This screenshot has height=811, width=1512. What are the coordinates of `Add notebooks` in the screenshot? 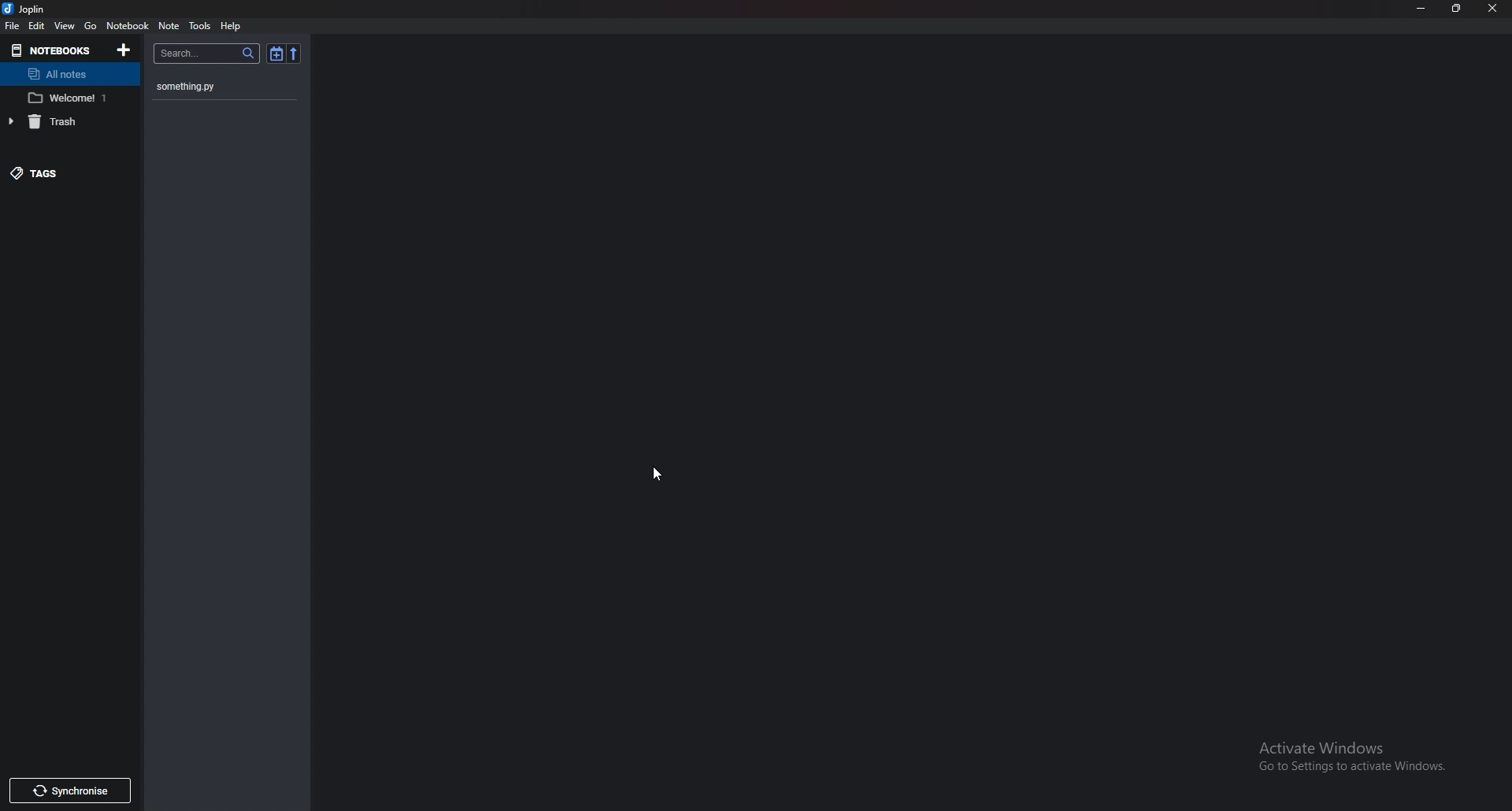 It's located at (121, 49).